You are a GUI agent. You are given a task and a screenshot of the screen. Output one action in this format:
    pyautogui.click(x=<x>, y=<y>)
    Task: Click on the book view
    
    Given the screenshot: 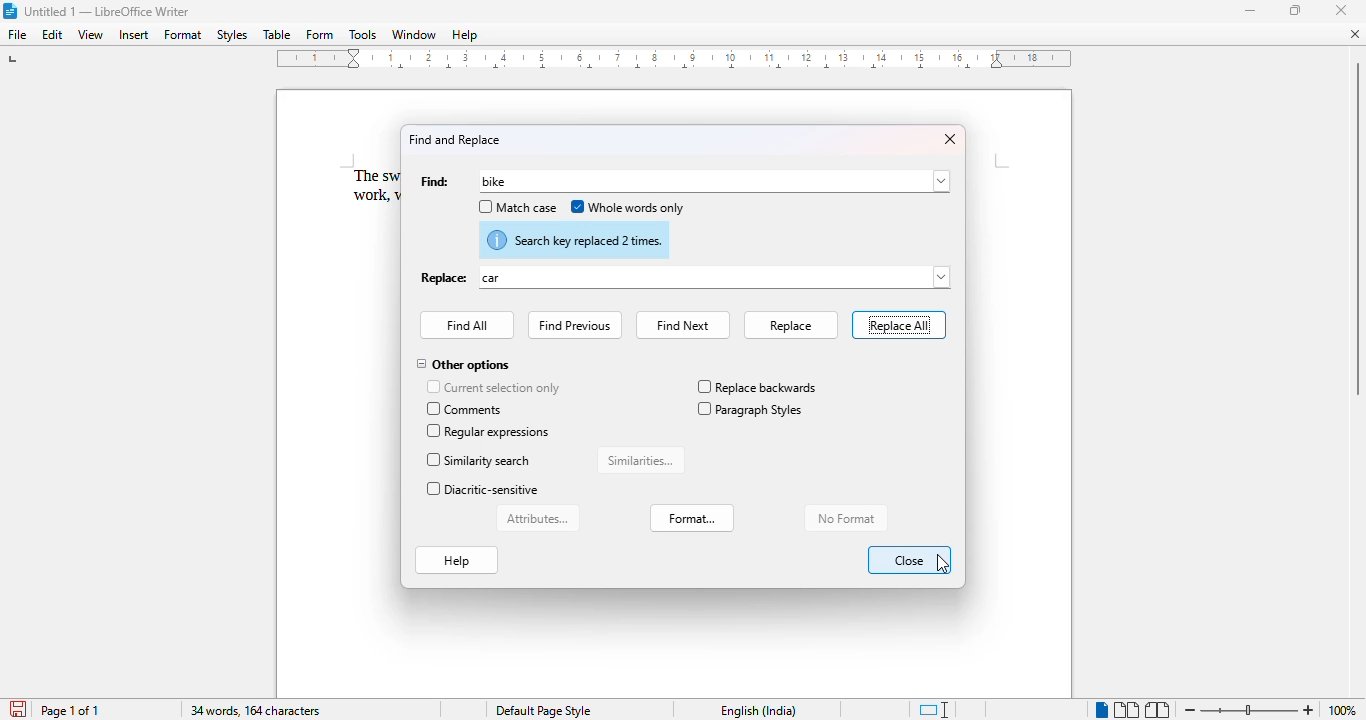 What is the action you would take?
    pyautogui.click(x=1159, y=711)
    